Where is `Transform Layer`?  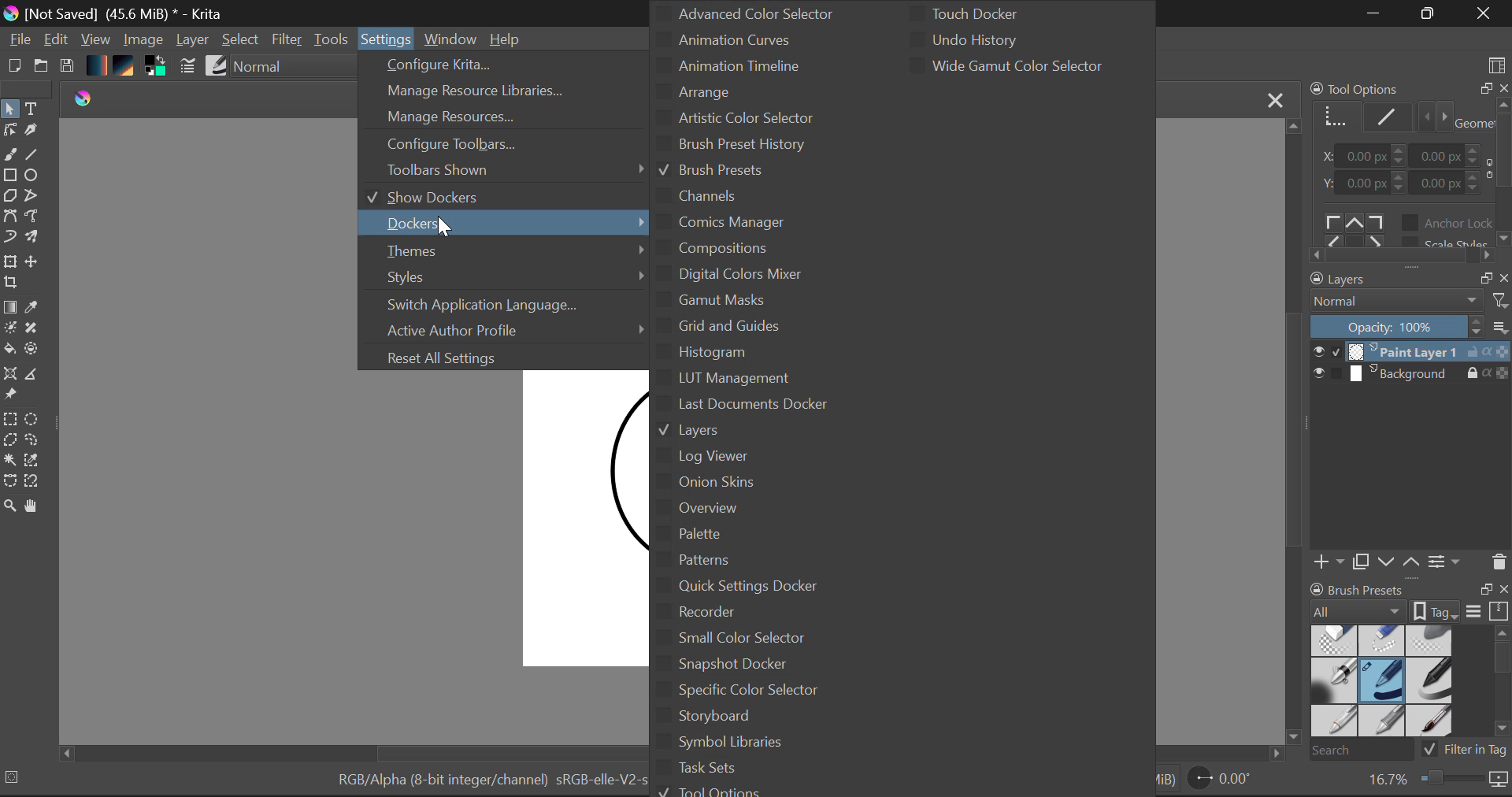 Transform Layer is located at coordinates (9, 262).